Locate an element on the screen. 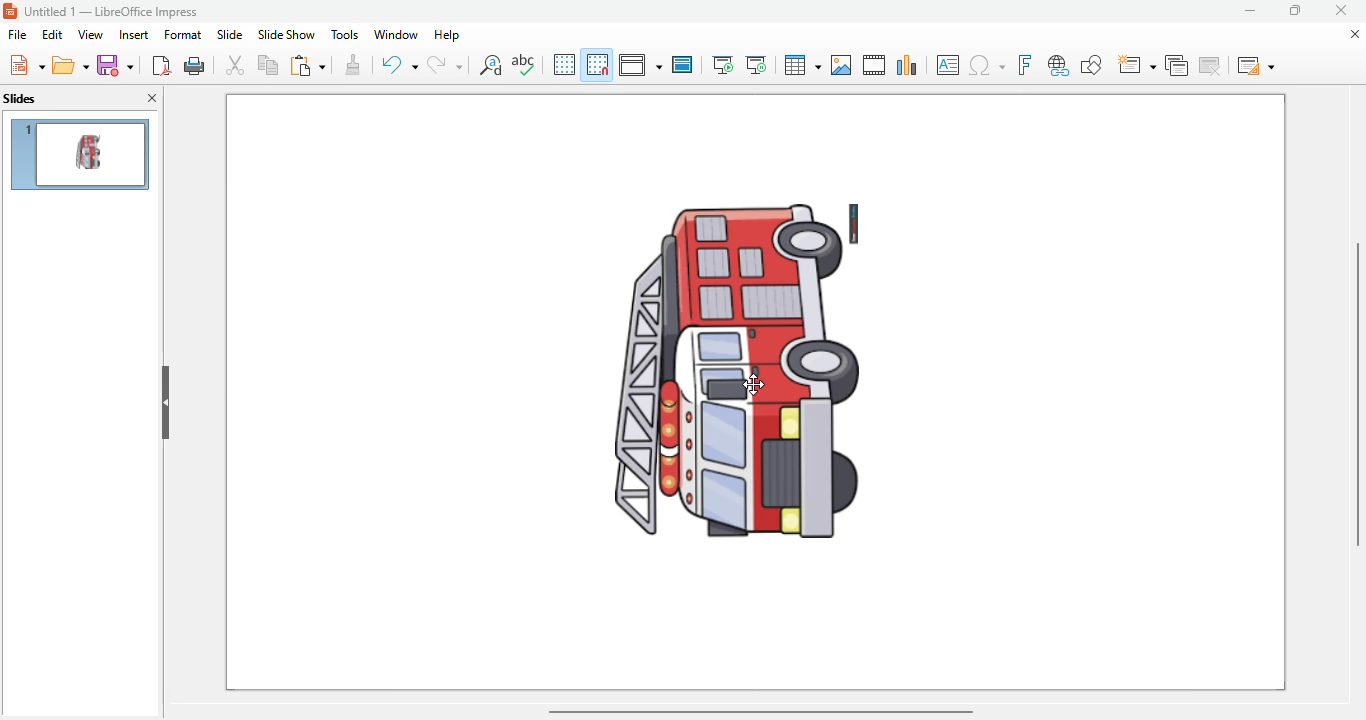  close document is located at coordinates (1354, 33).